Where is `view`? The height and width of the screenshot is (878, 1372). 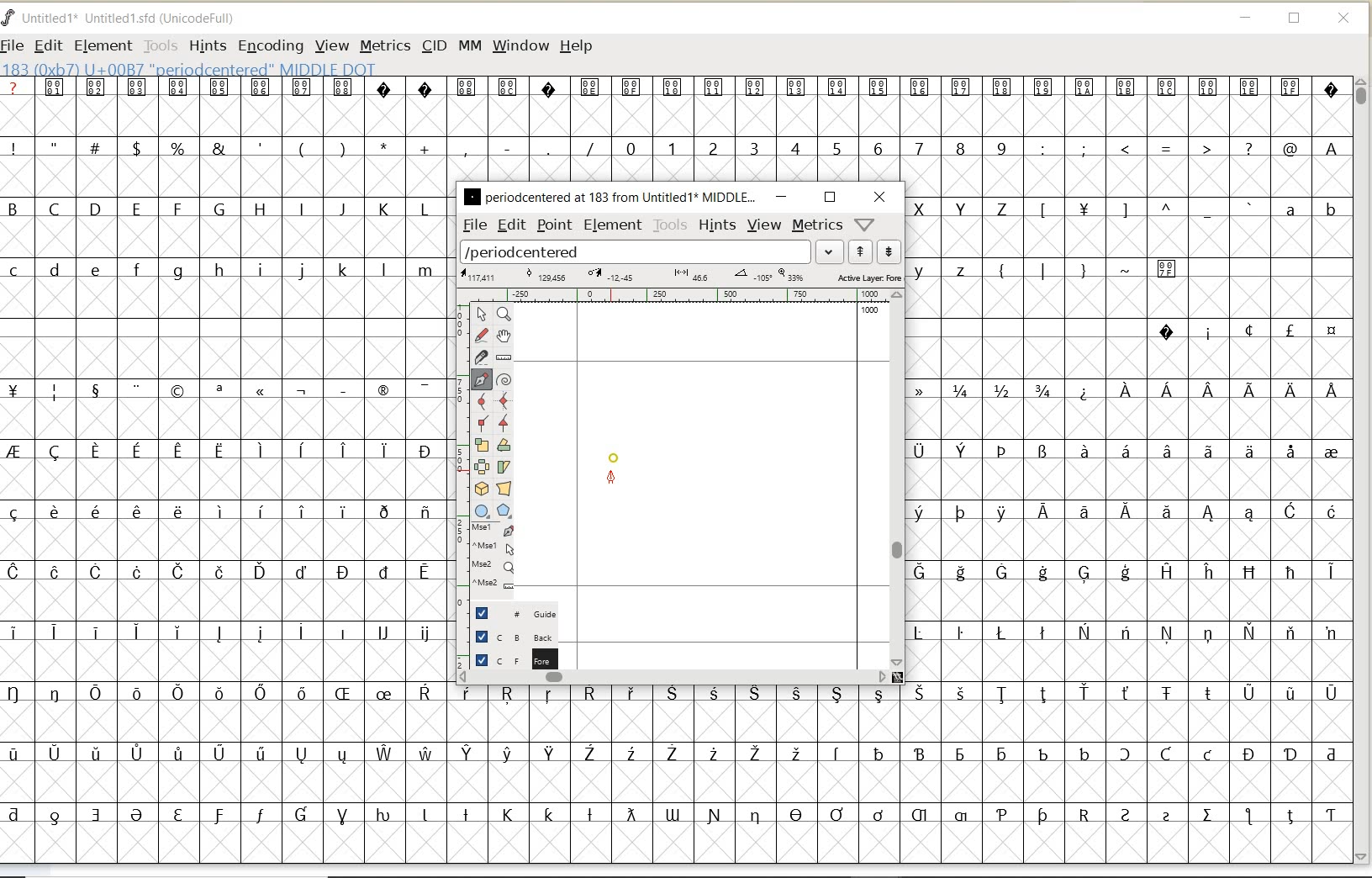
view is located at coordinates (765, 225).